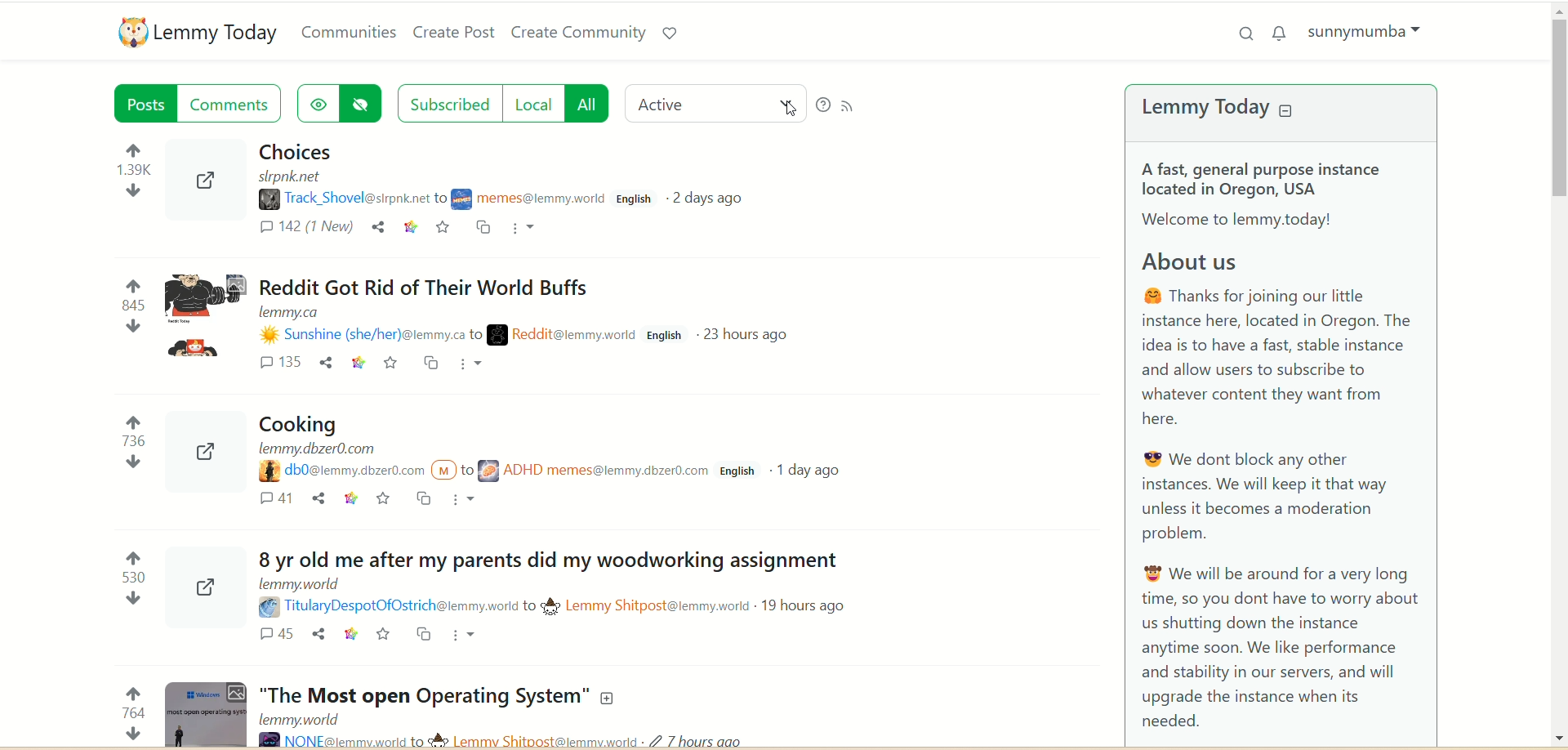 The height and width of the screenshot is (750, 1568). Describe the element at coordinates (131, 442) in the screenshot. I see `votes` at that location.